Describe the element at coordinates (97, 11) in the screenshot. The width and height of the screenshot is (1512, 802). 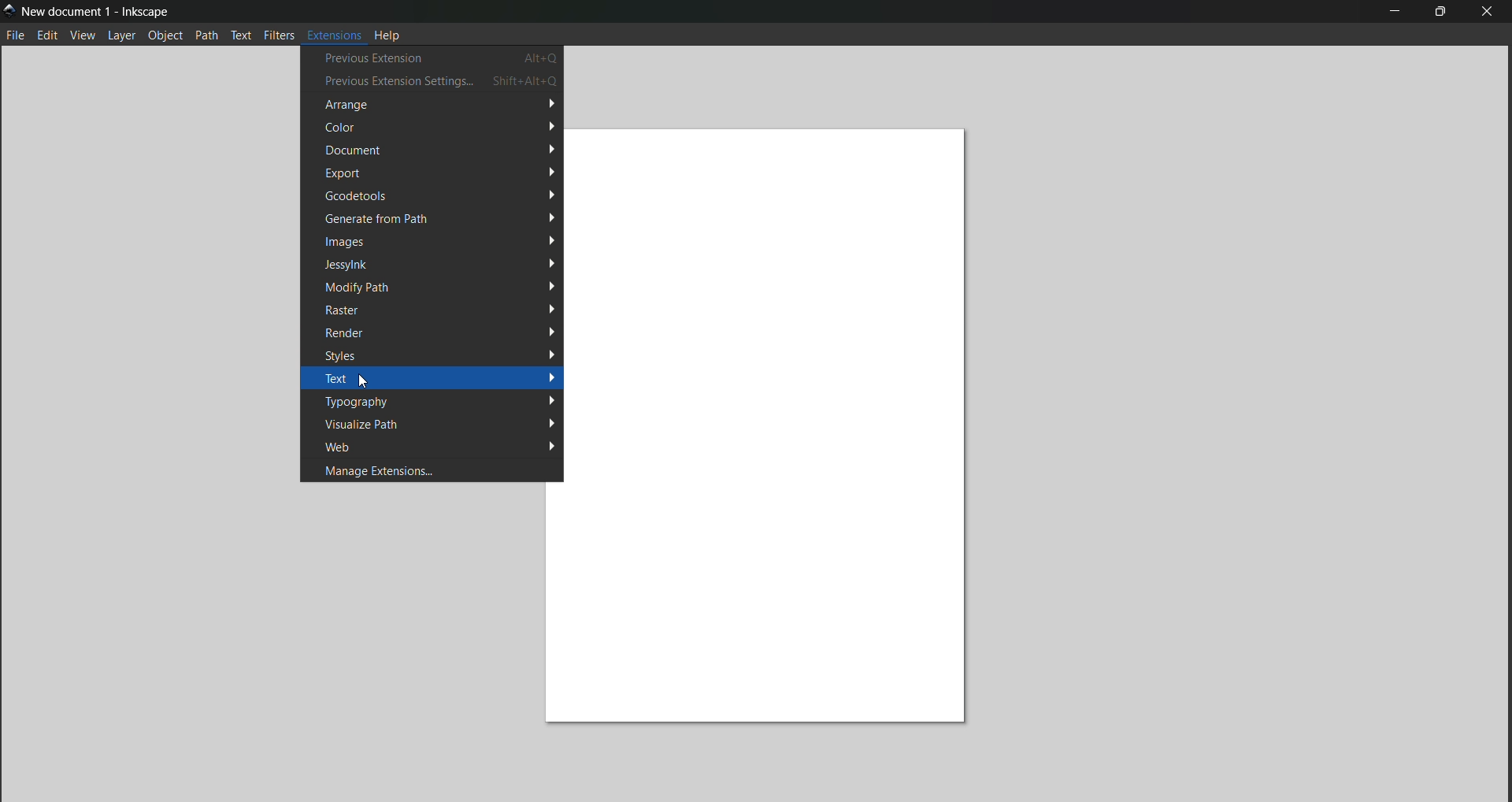
I see `view document-1 Inkspace` at that location.